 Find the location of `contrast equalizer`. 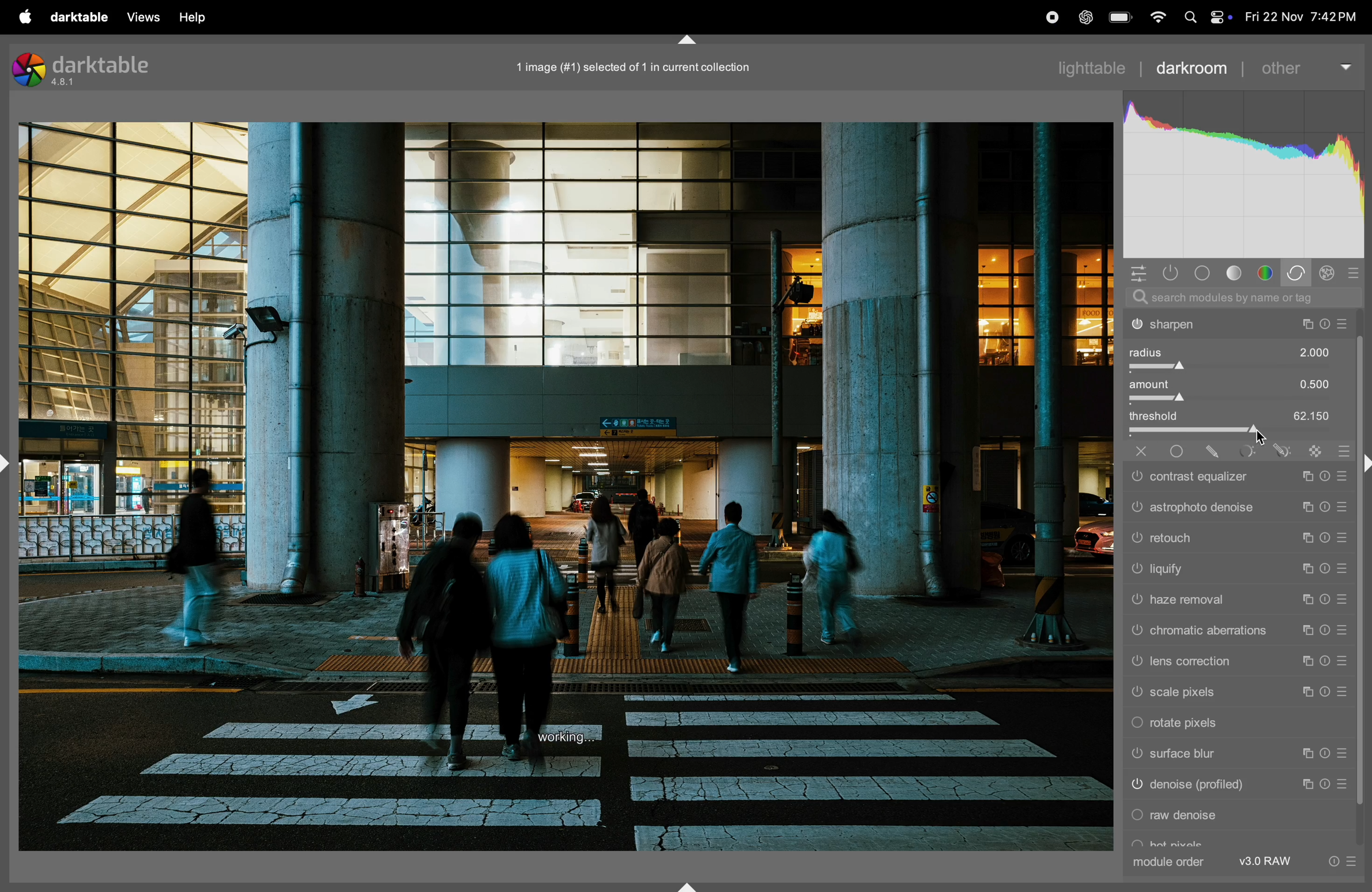

contrast equalizer is located at coordinates (1234, 477).